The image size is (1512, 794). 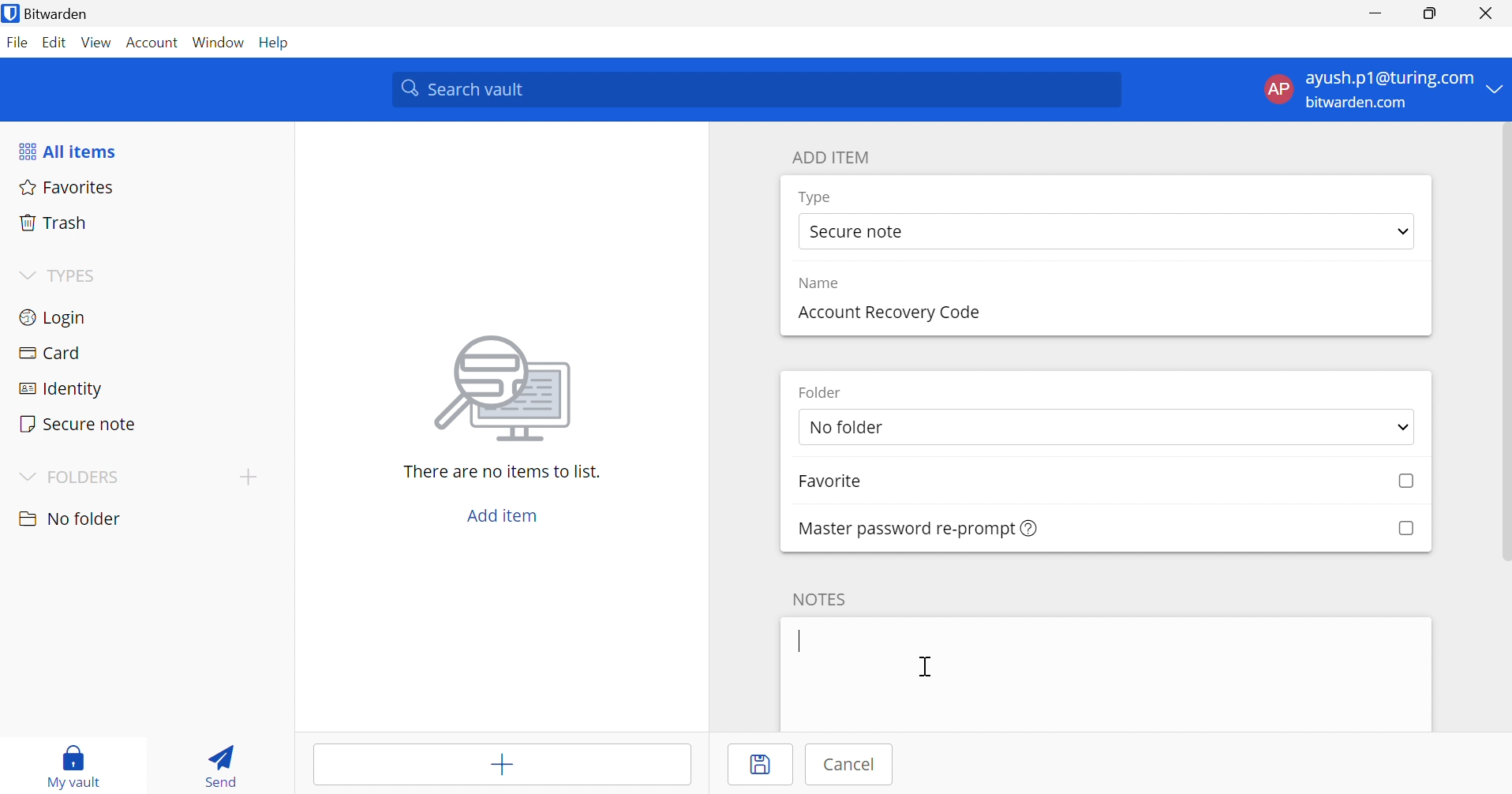 What do you see at coordinates (79, 423) in the screenshot?
I see `Secure note` at bounding box center [79, 423].